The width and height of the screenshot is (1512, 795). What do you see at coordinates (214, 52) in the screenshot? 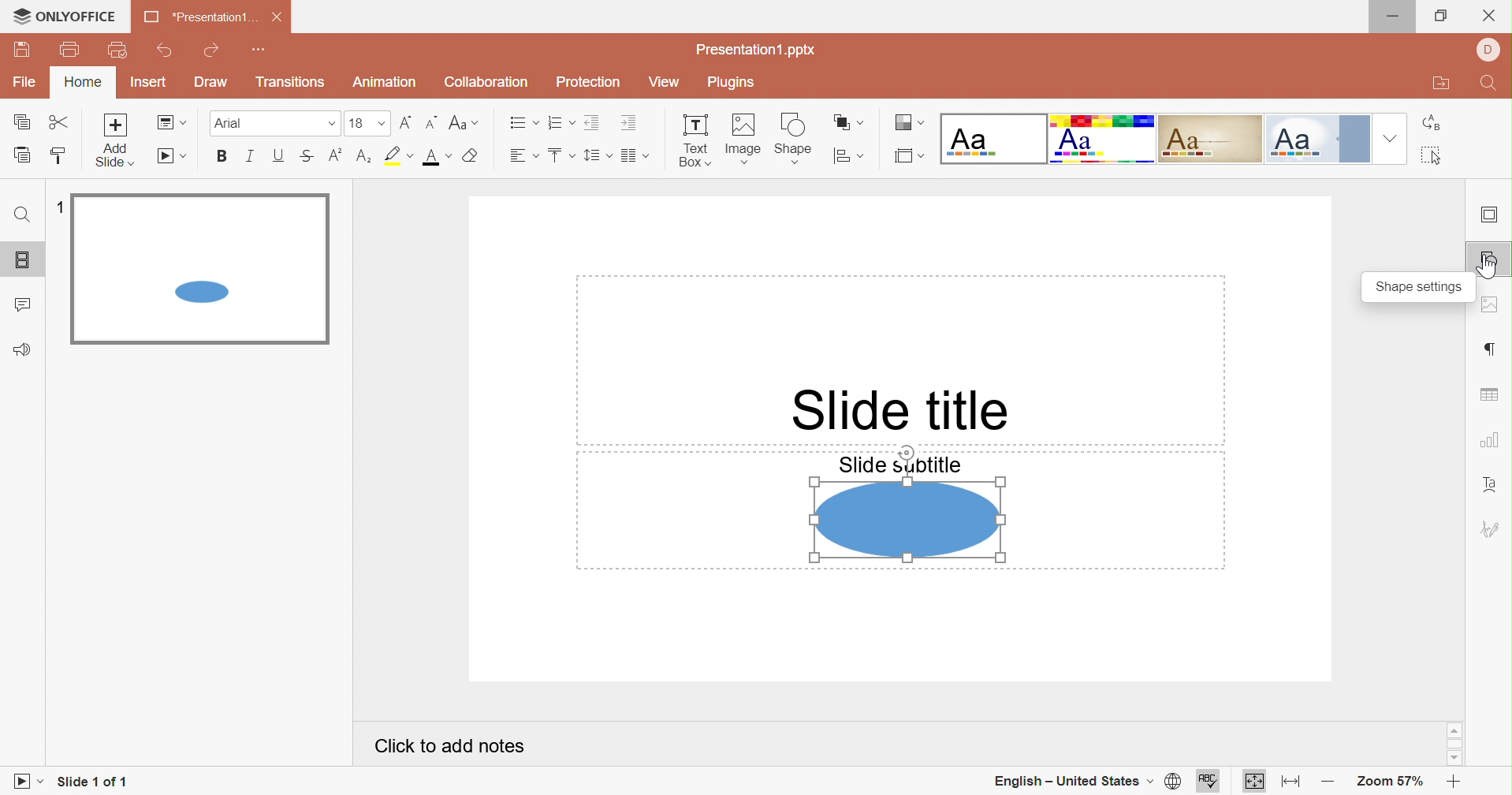
I see `Redo` at bounding box center [214, 52].